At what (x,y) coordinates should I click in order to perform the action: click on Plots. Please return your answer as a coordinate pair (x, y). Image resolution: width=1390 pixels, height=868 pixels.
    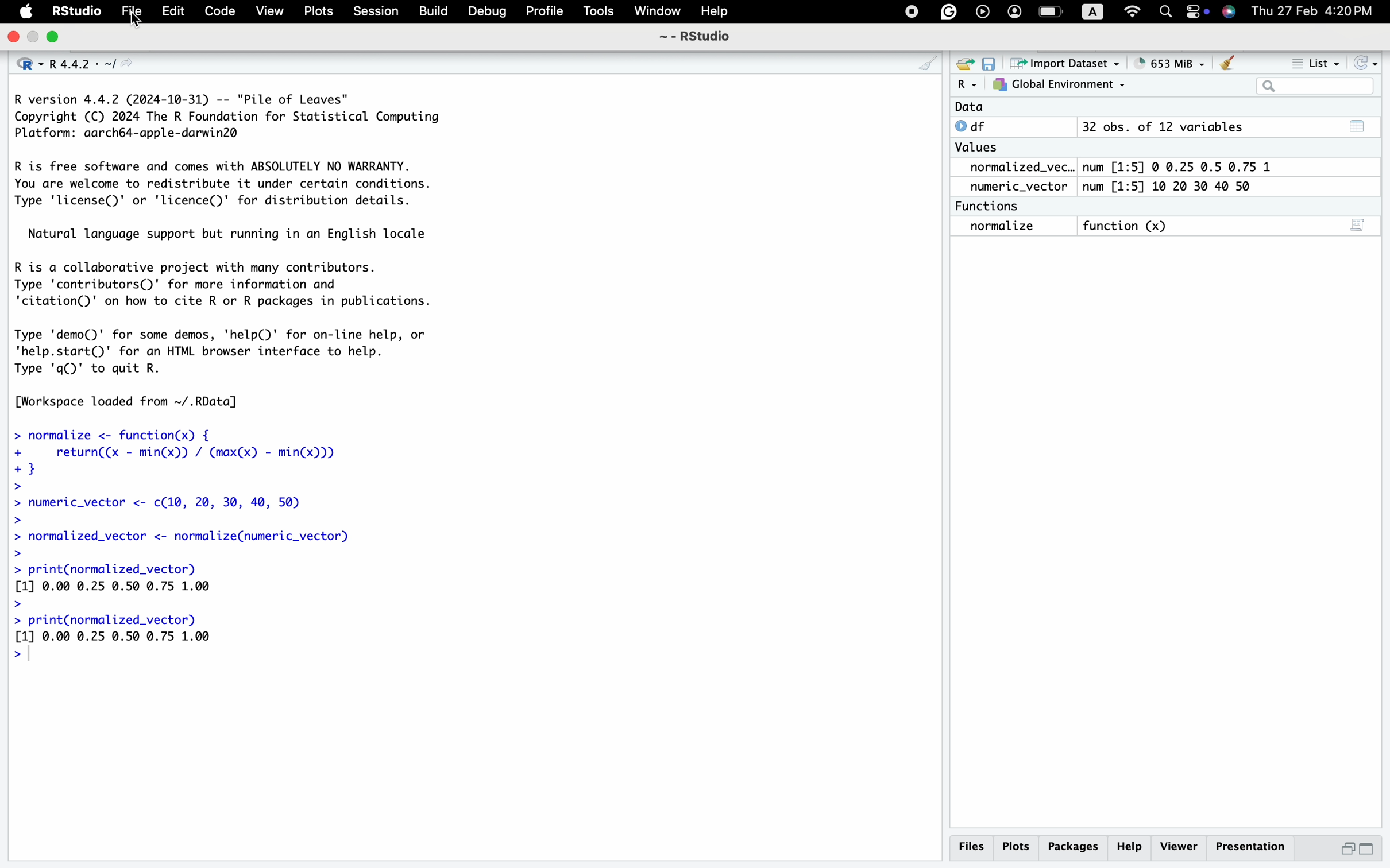
    Looking at the image, I should click on (1017, 846).